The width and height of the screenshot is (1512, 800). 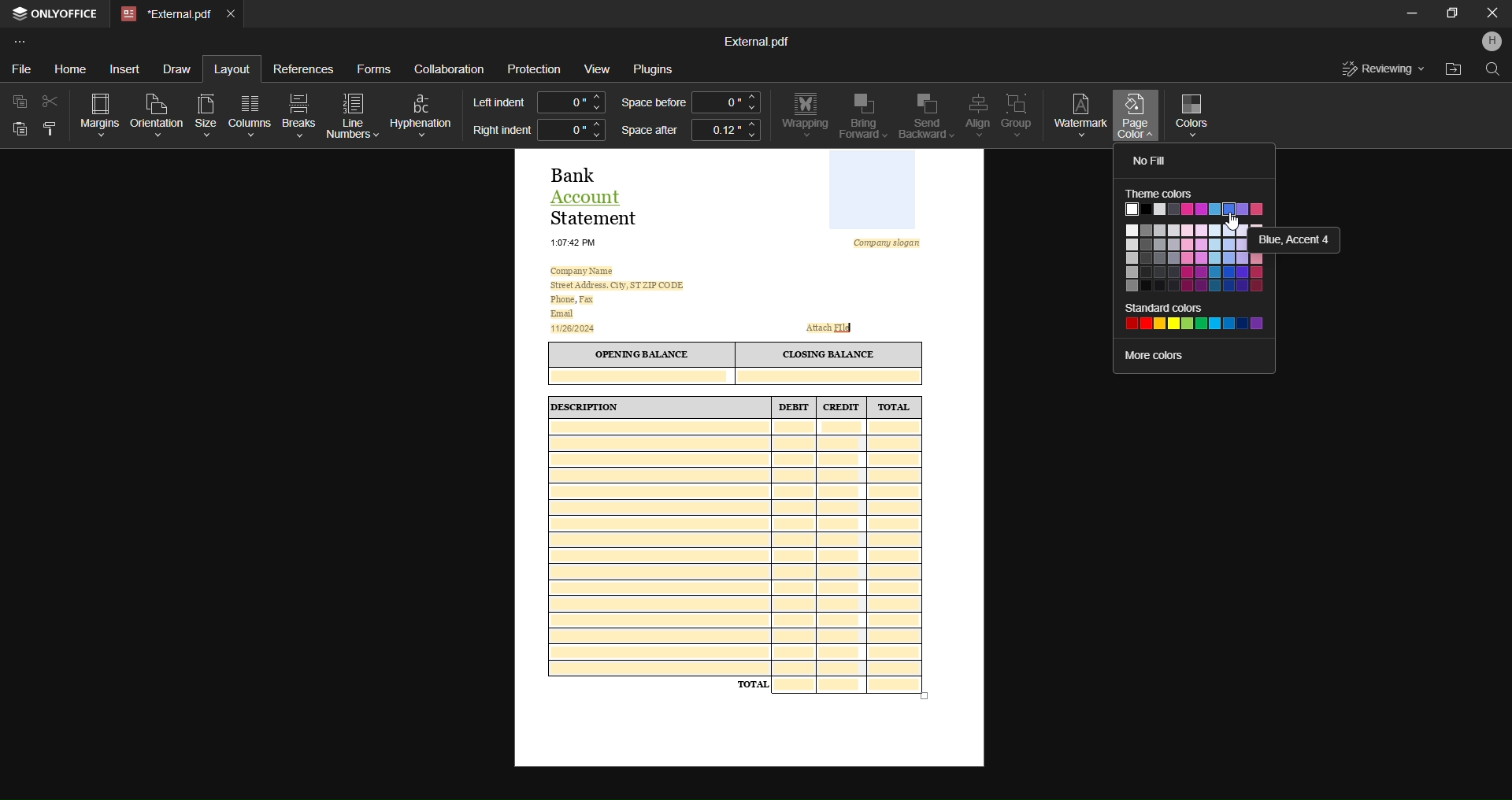 I want to click on theme colors, so click(x=1253, y=209).